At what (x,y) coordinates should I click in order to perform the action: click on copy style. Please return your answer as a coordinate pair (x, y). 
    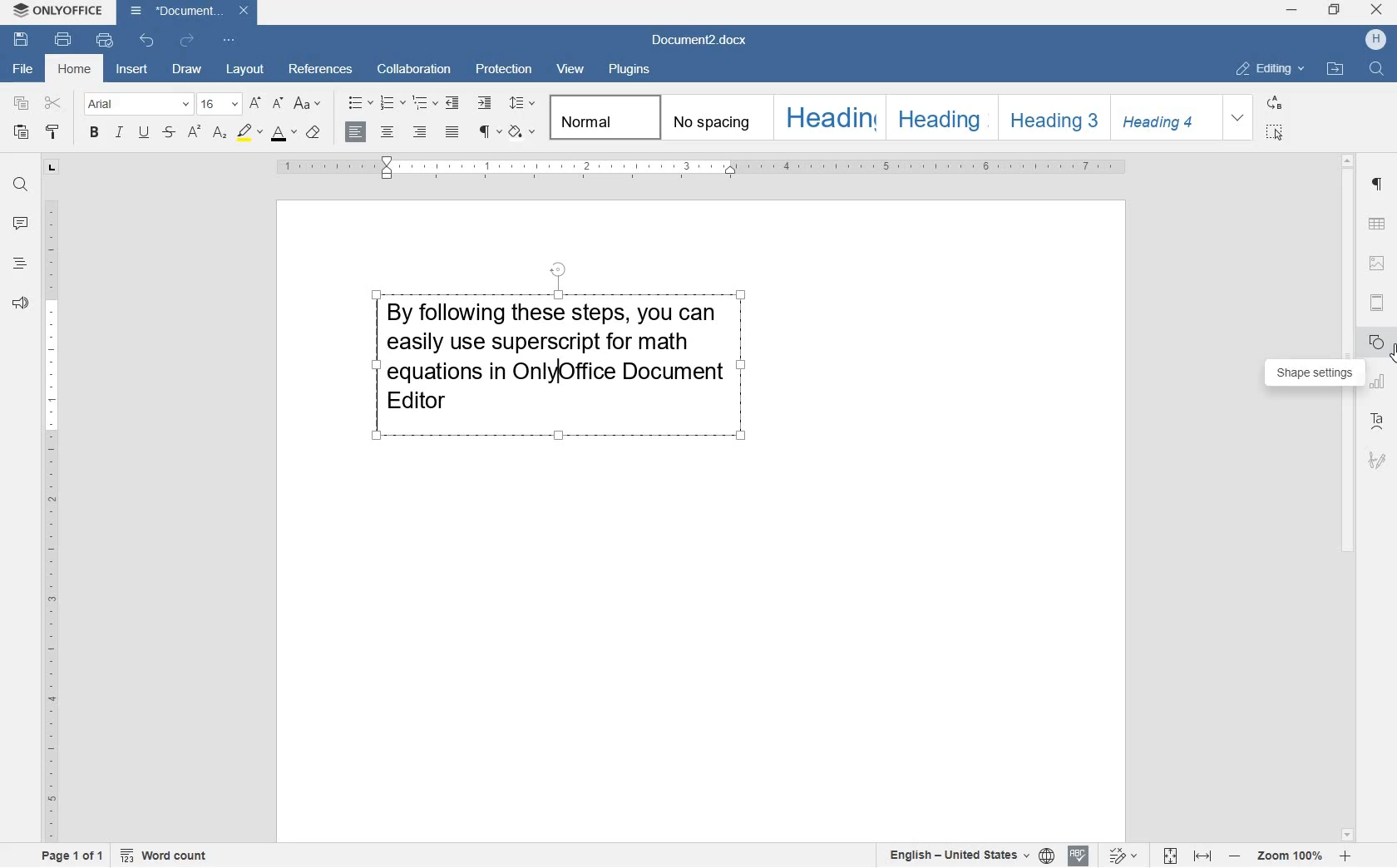
    Looking at the image, I should click on (53, 132).